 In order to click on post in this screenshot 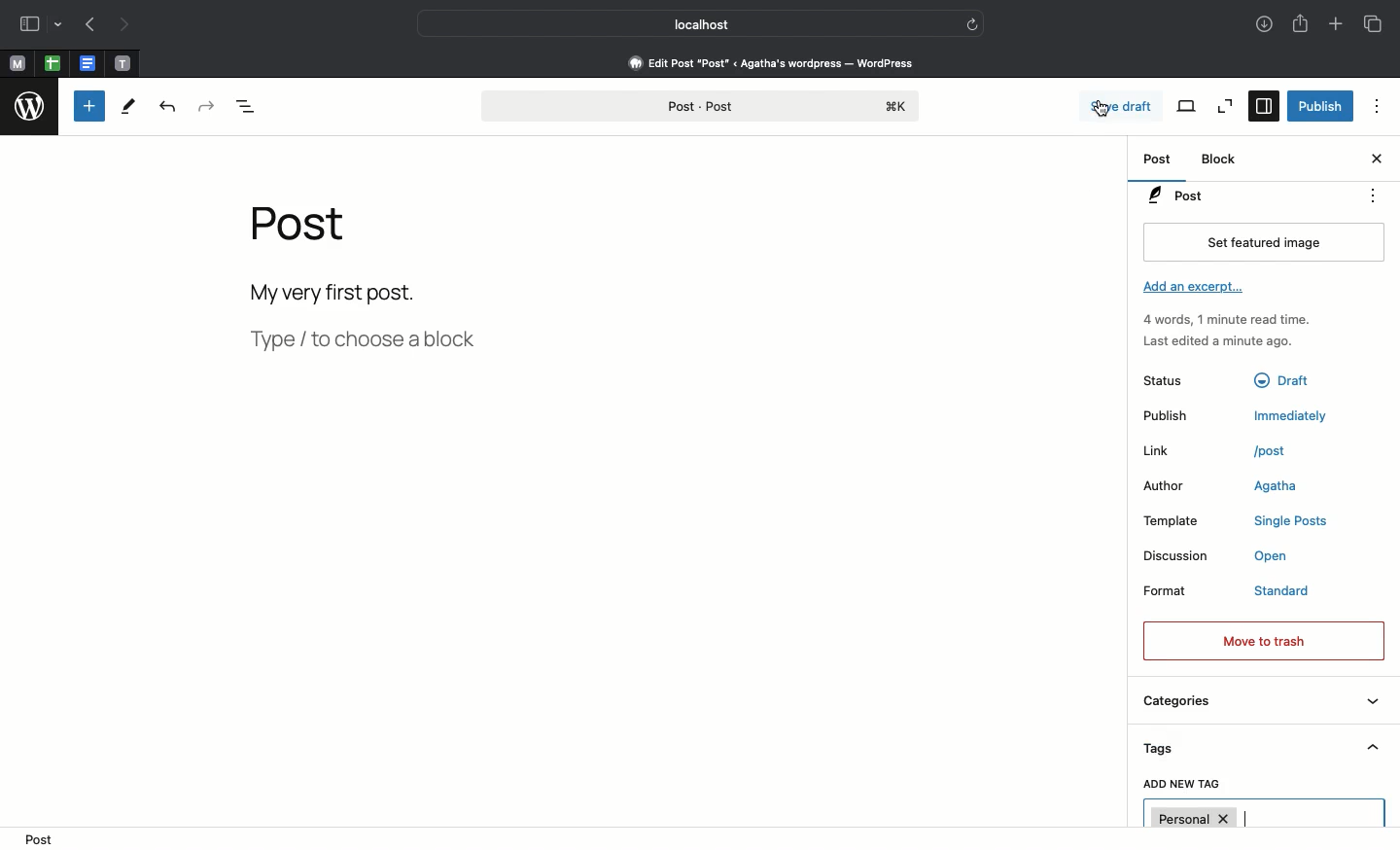, I will do `click(1272, 452)`.